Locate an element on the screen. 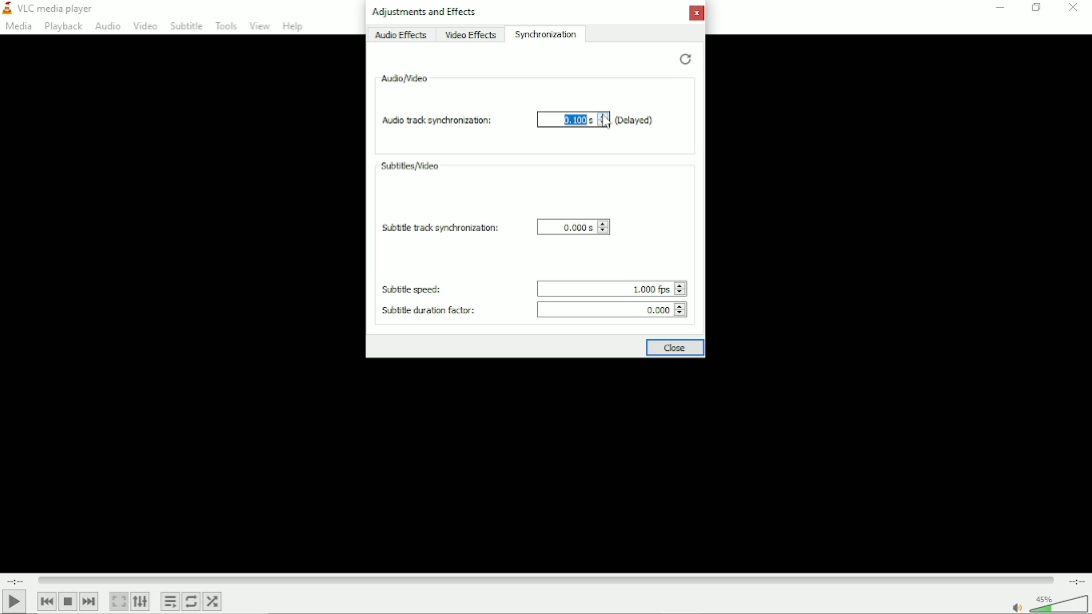 The width and height of the screenshot is (1092, 614). Subtitle duration factor is located at coordinates (426, 309).